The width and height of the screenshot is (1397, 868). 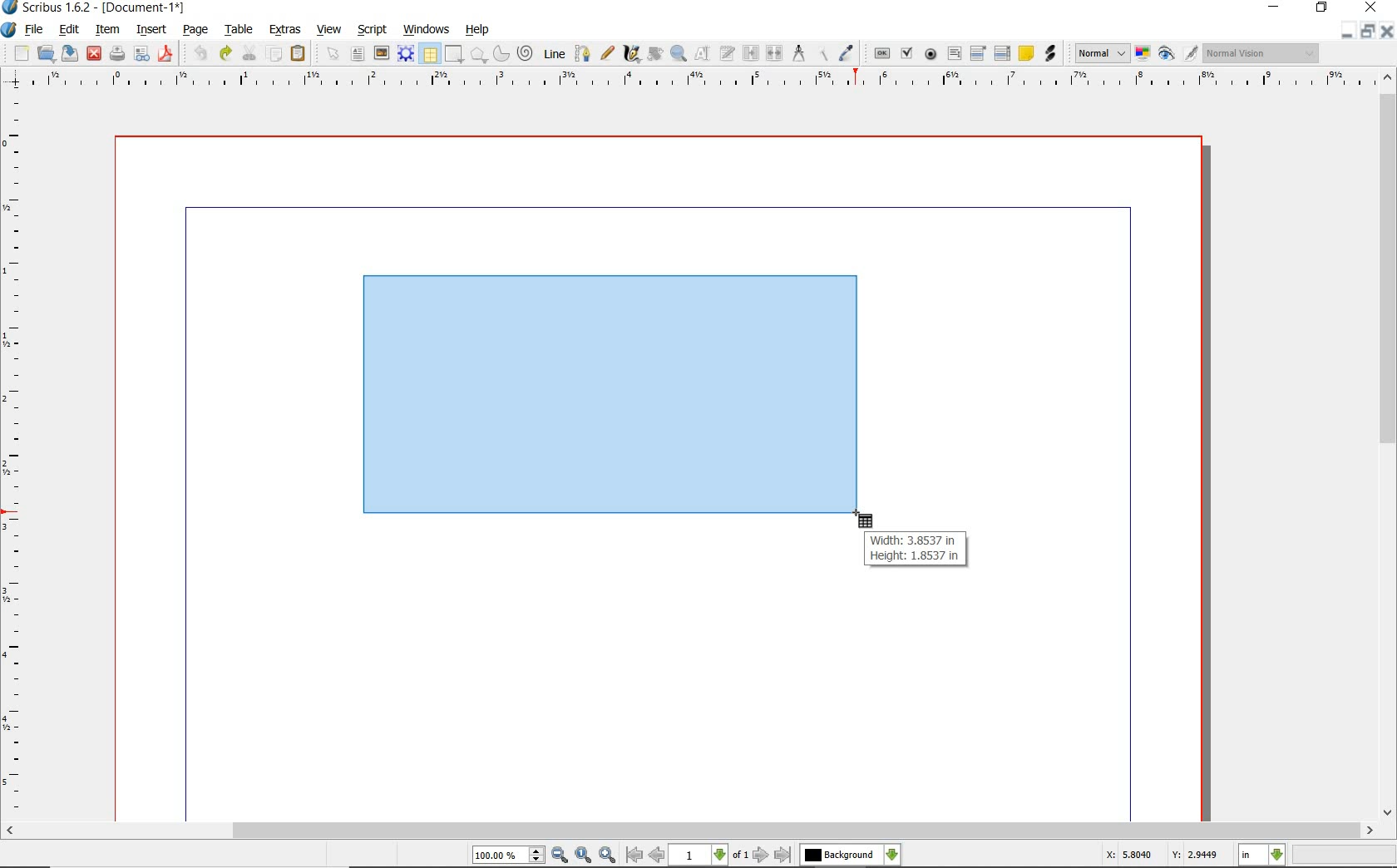 What do you see at coordinates (165, 53) in the screenshot?
I see `save as pdf` at bounding box center [165, 53].